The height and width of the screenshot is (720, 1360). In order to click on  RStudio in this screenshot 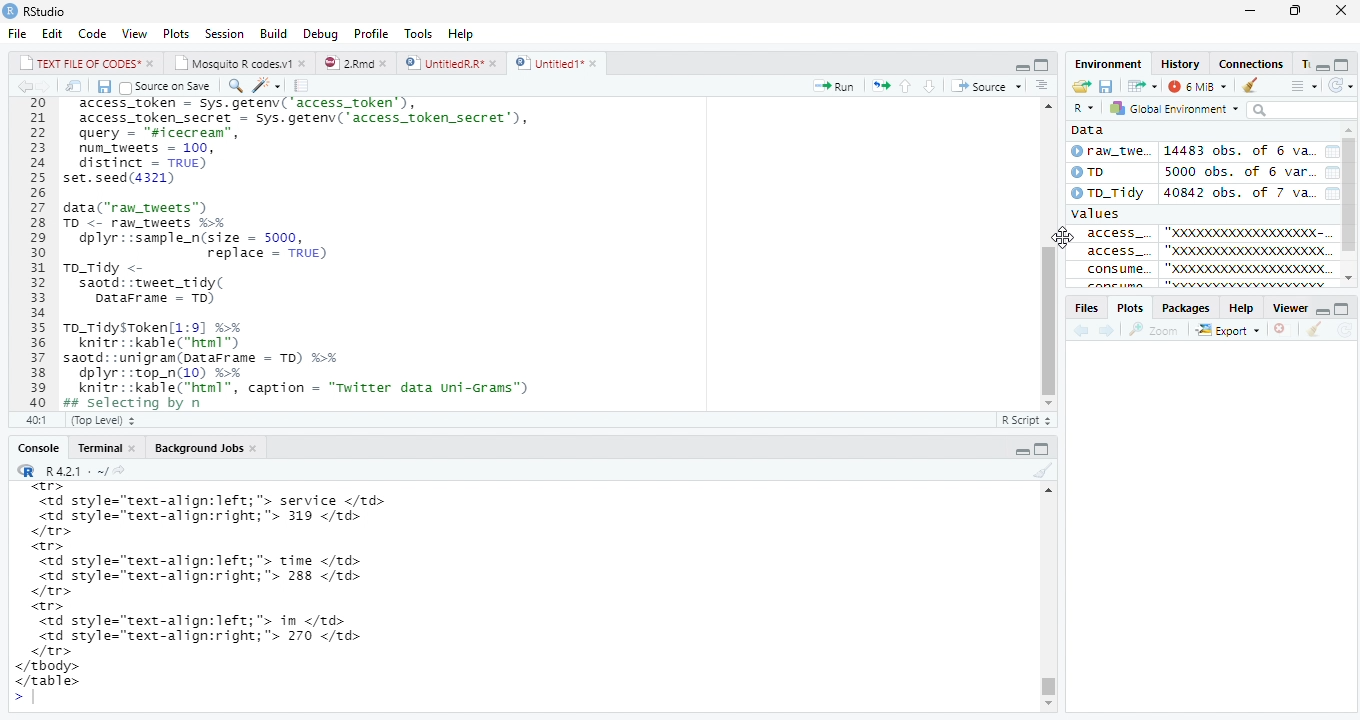, I will do `click(56, 11)`.